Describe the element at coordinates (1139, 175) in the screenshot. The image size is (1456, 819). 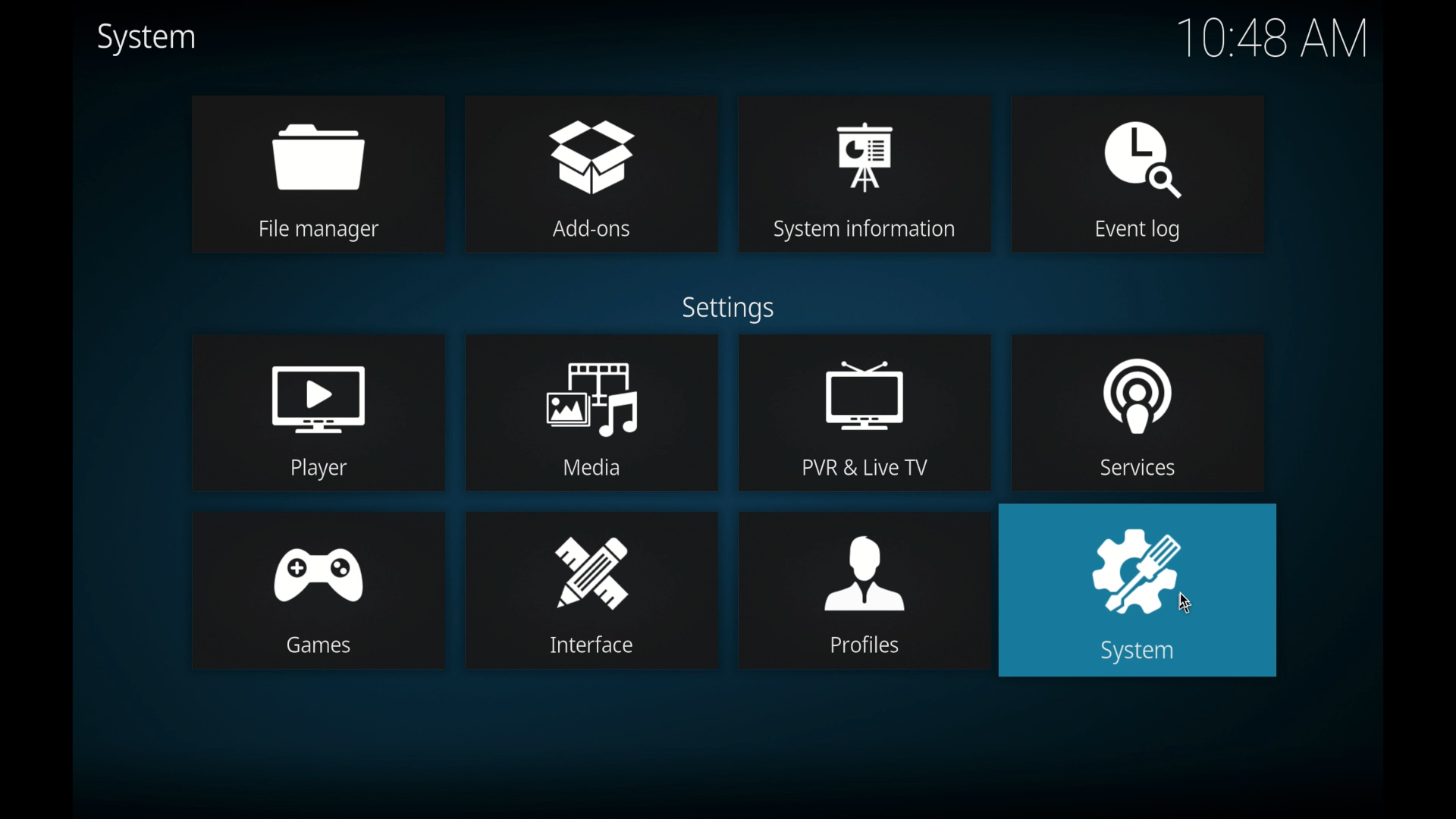
I see `event log` at that location.